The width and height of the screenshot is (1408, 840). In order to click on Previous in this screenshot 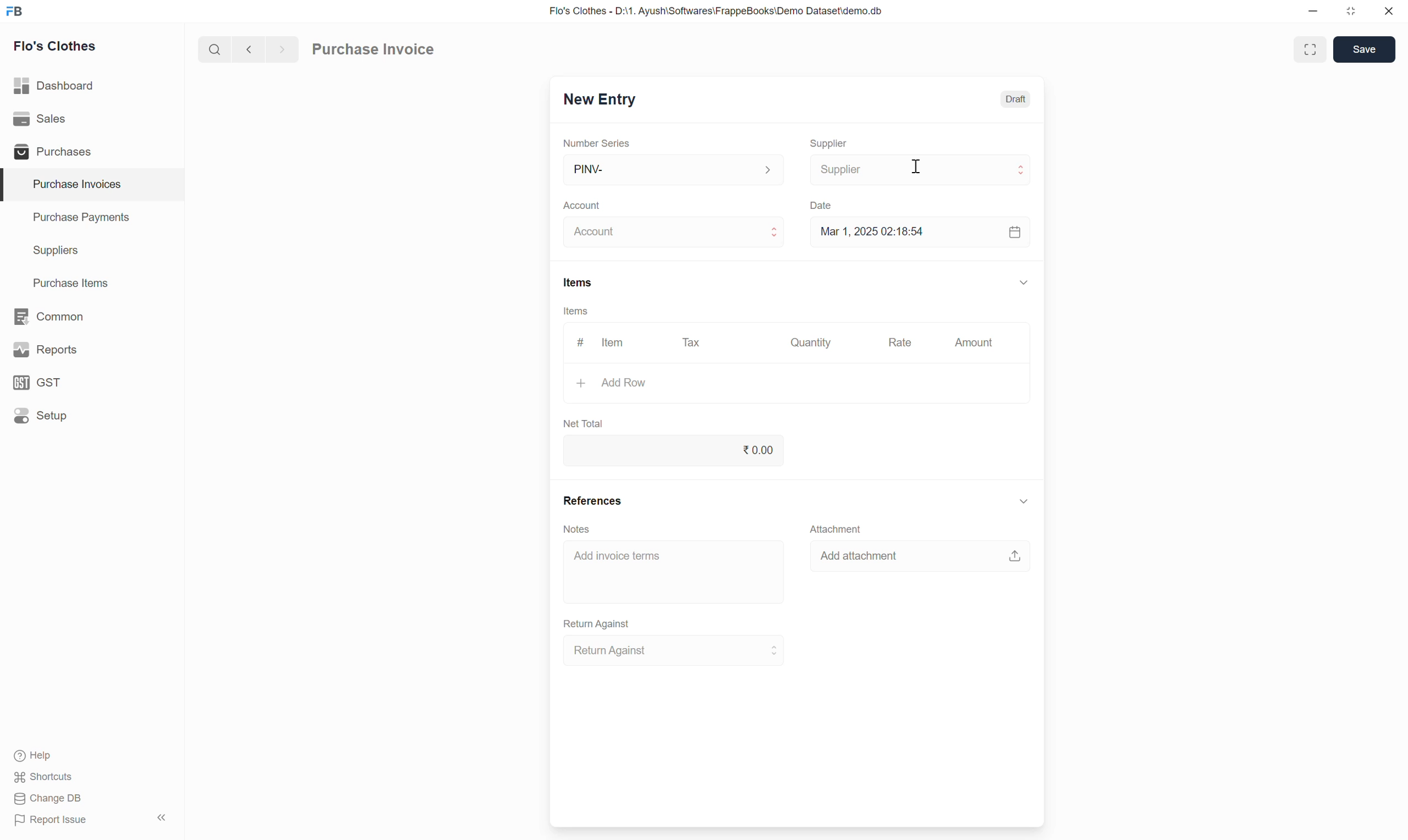, I will do `click(249, 49)`.